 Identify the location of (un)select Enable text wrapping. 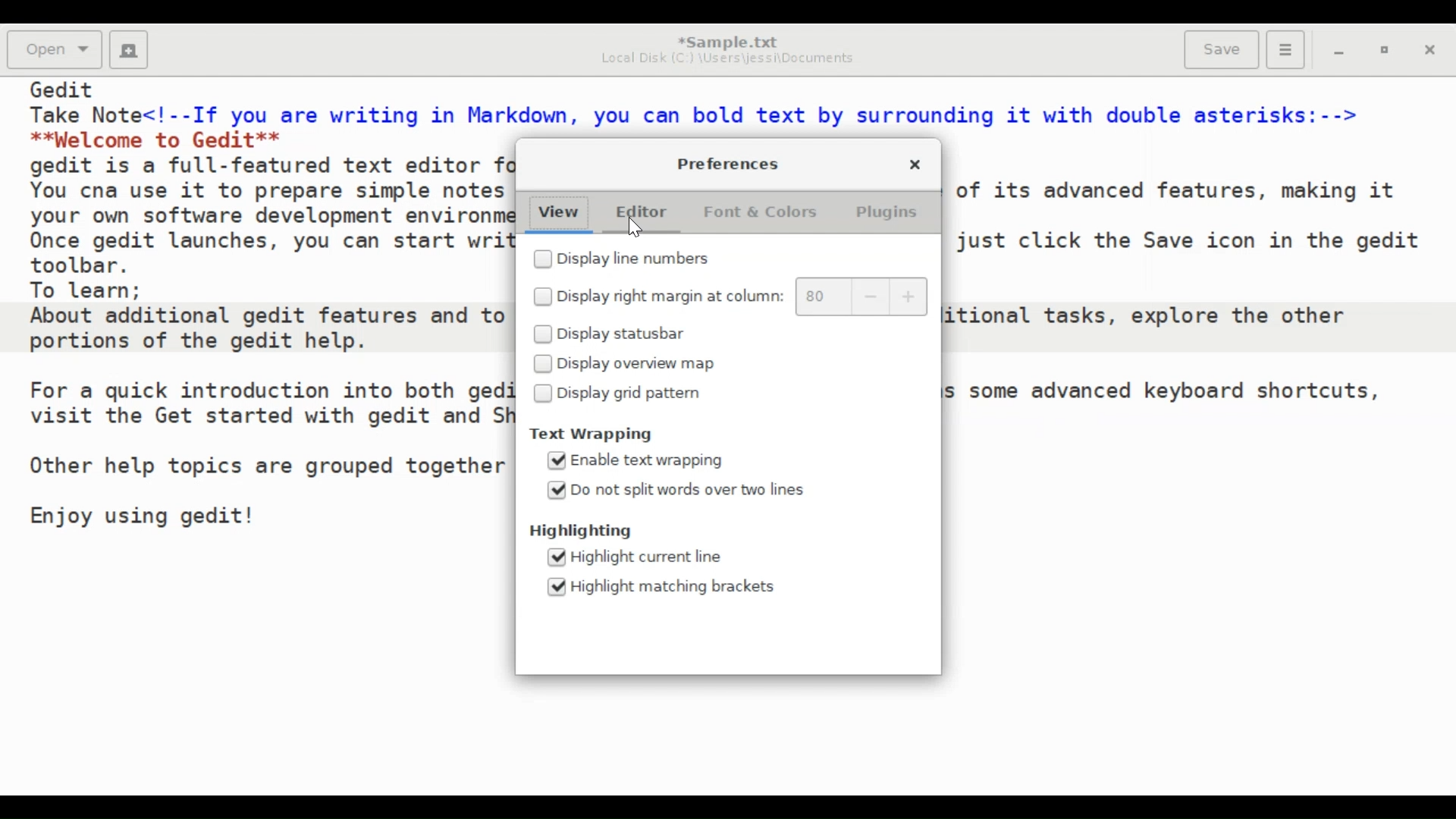
(638, 461).